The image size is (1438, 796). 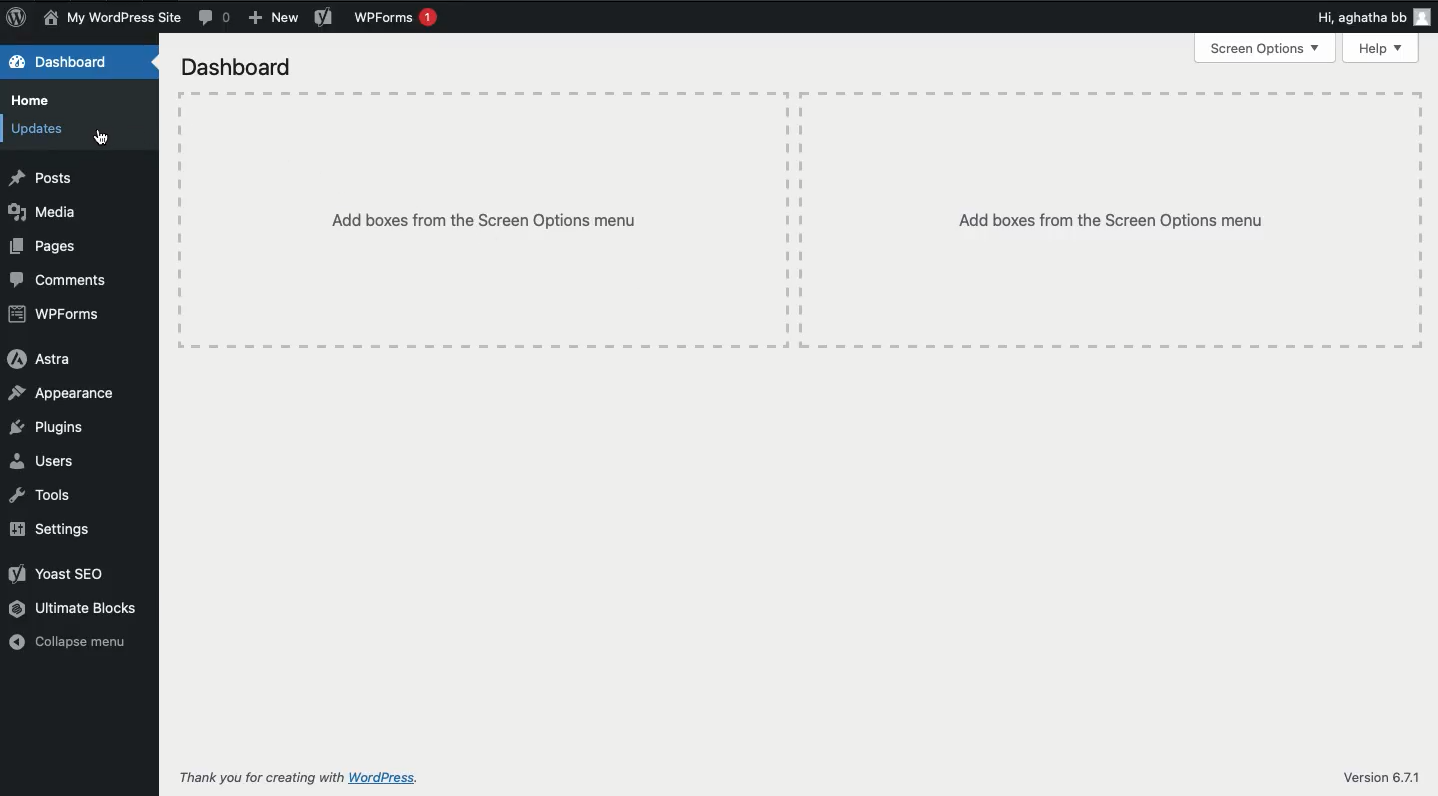 I want to click on Astra, so click(x=39, y=359).